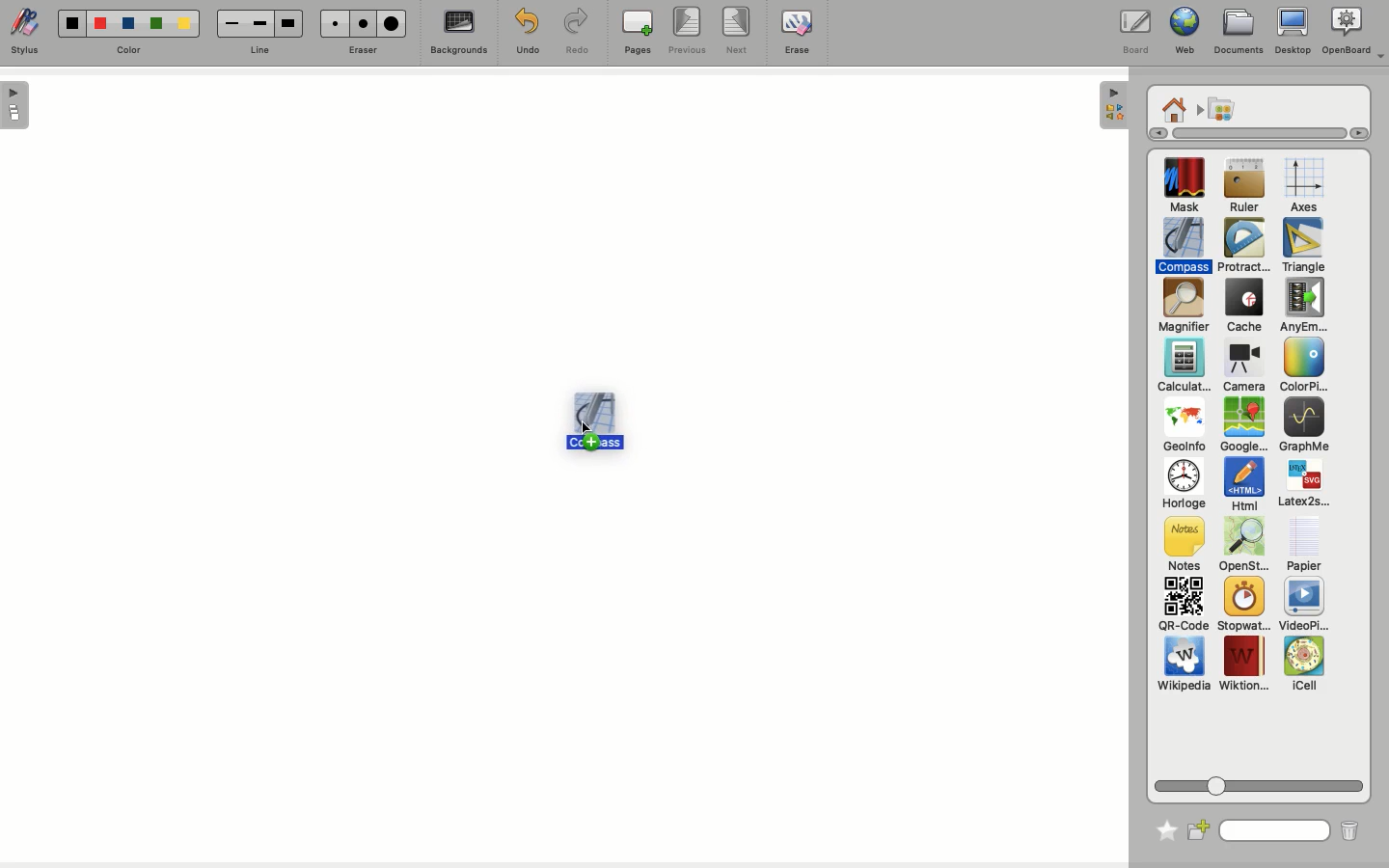 The width and height of the screenshot is (1389, 868). Describe the element at coordinates (1161, 827) in the screenshot. I see `Favorite` at that location.